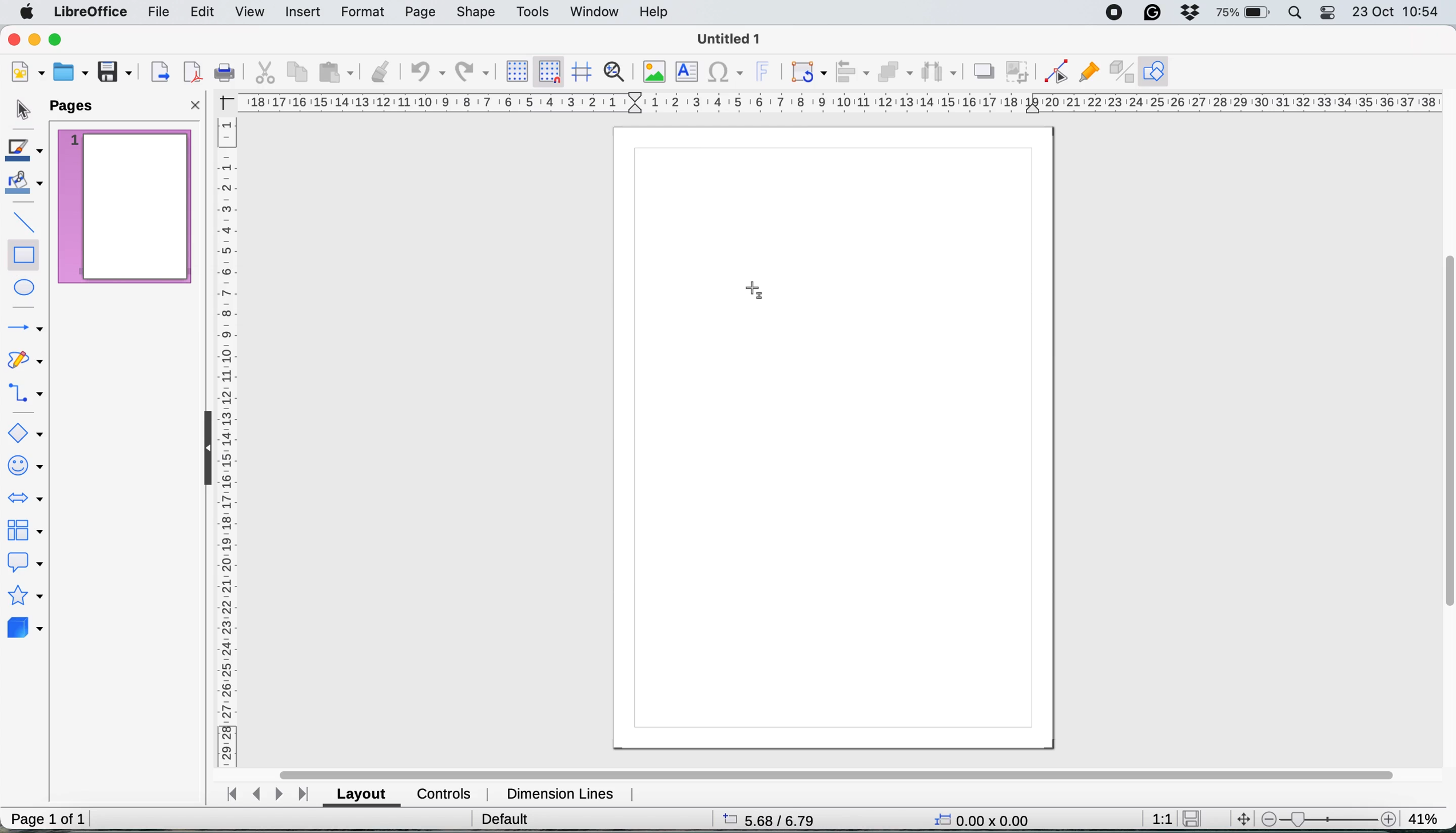 Image resolution: width=1456 pixels, height=833 pixels. What do you see at coordinates (77, 107) in the screenshot?
I see `pages` at bounding box center [77, 107].